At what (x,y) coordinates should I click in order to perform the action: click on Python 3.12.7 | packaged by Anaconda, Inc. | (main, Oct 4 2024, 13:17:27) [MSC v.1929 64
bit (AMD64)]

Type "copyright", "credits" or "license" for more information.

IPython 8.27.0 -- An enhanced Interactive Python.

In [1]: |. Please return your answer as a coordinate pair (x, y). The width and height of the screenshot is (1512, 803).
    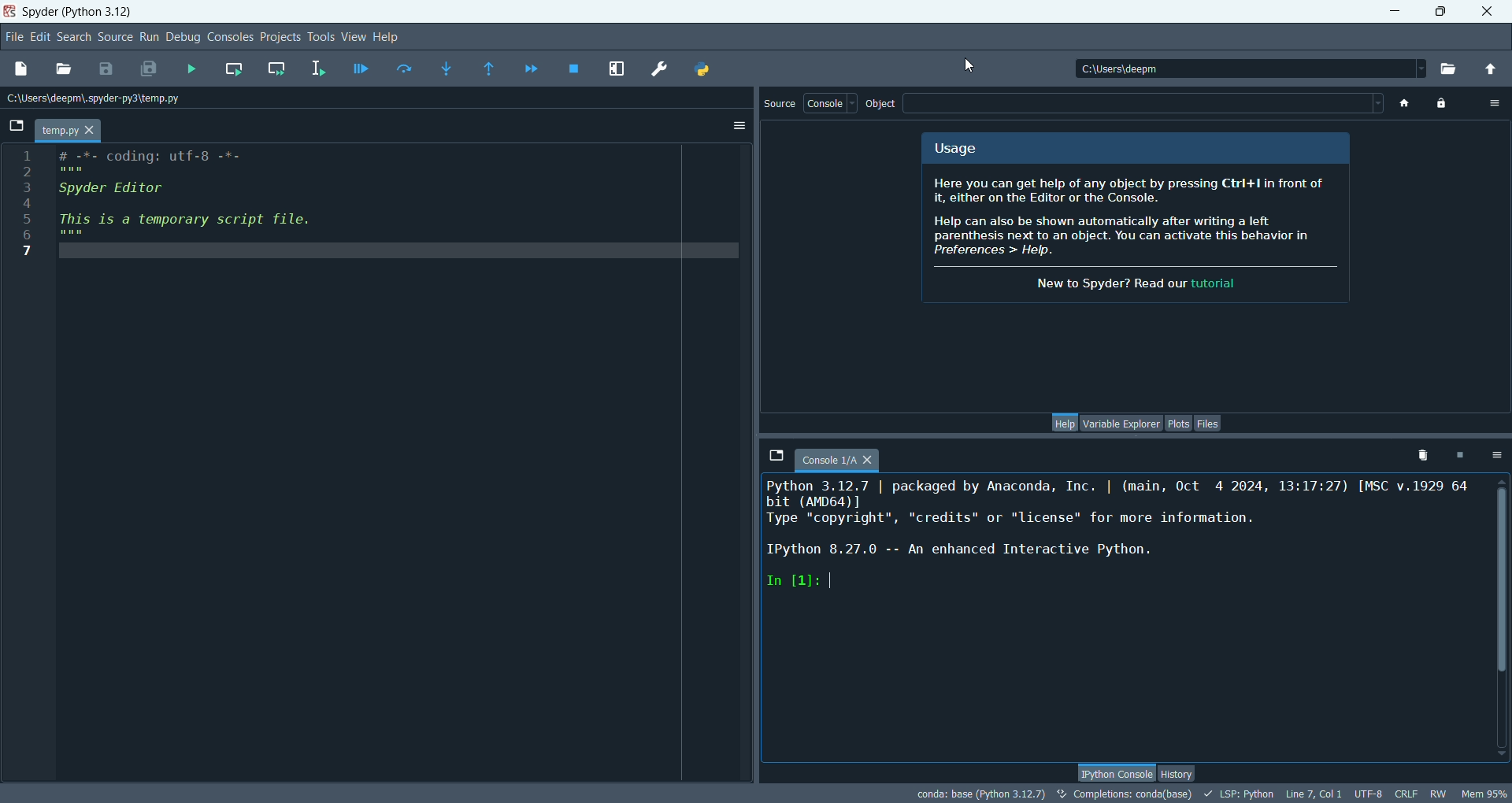
    Looking at the image, I should click on (1111, 567).